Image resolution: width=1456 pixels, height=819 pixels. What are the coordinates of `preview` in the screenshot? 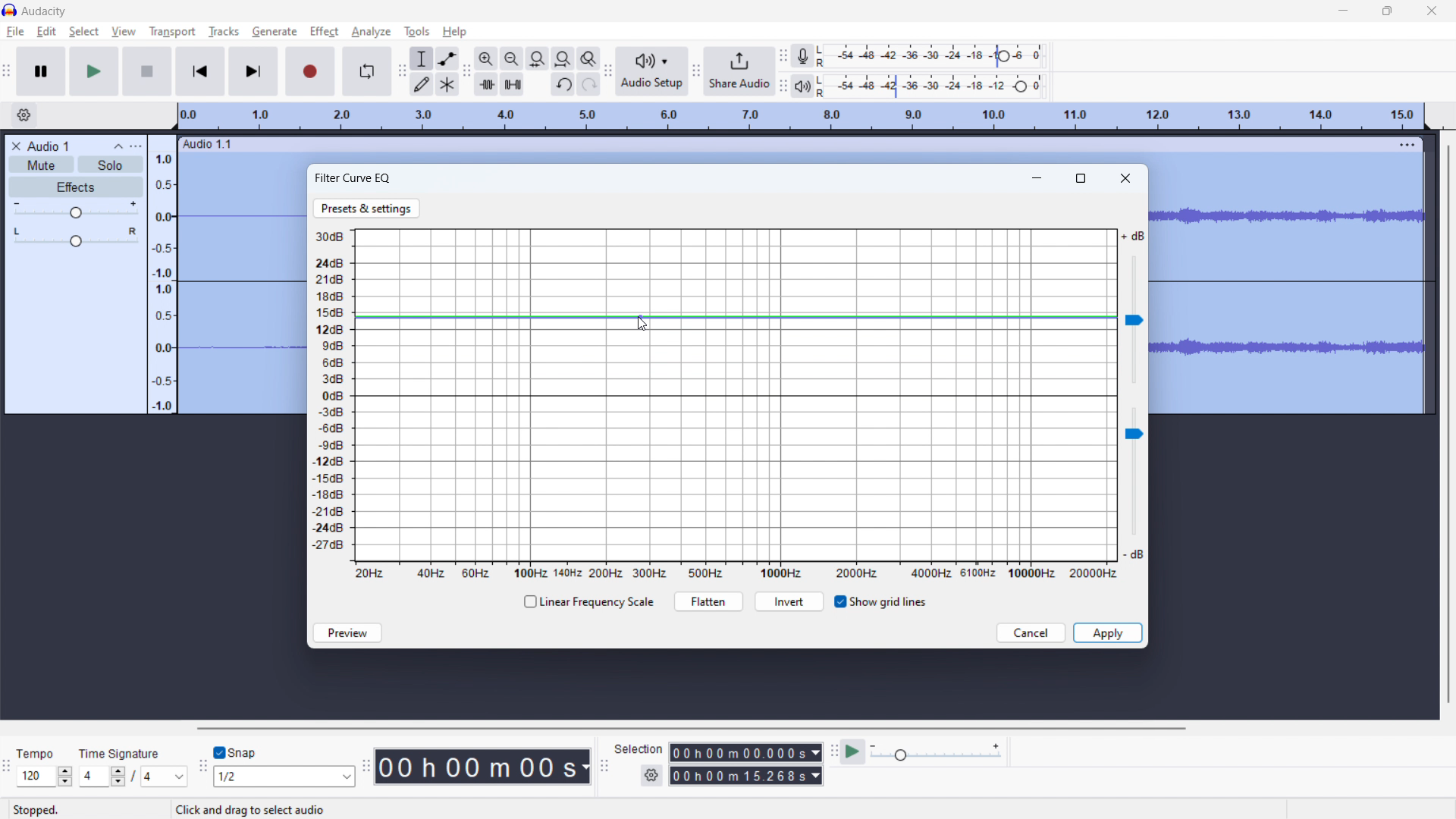 It's located at (347, 632).